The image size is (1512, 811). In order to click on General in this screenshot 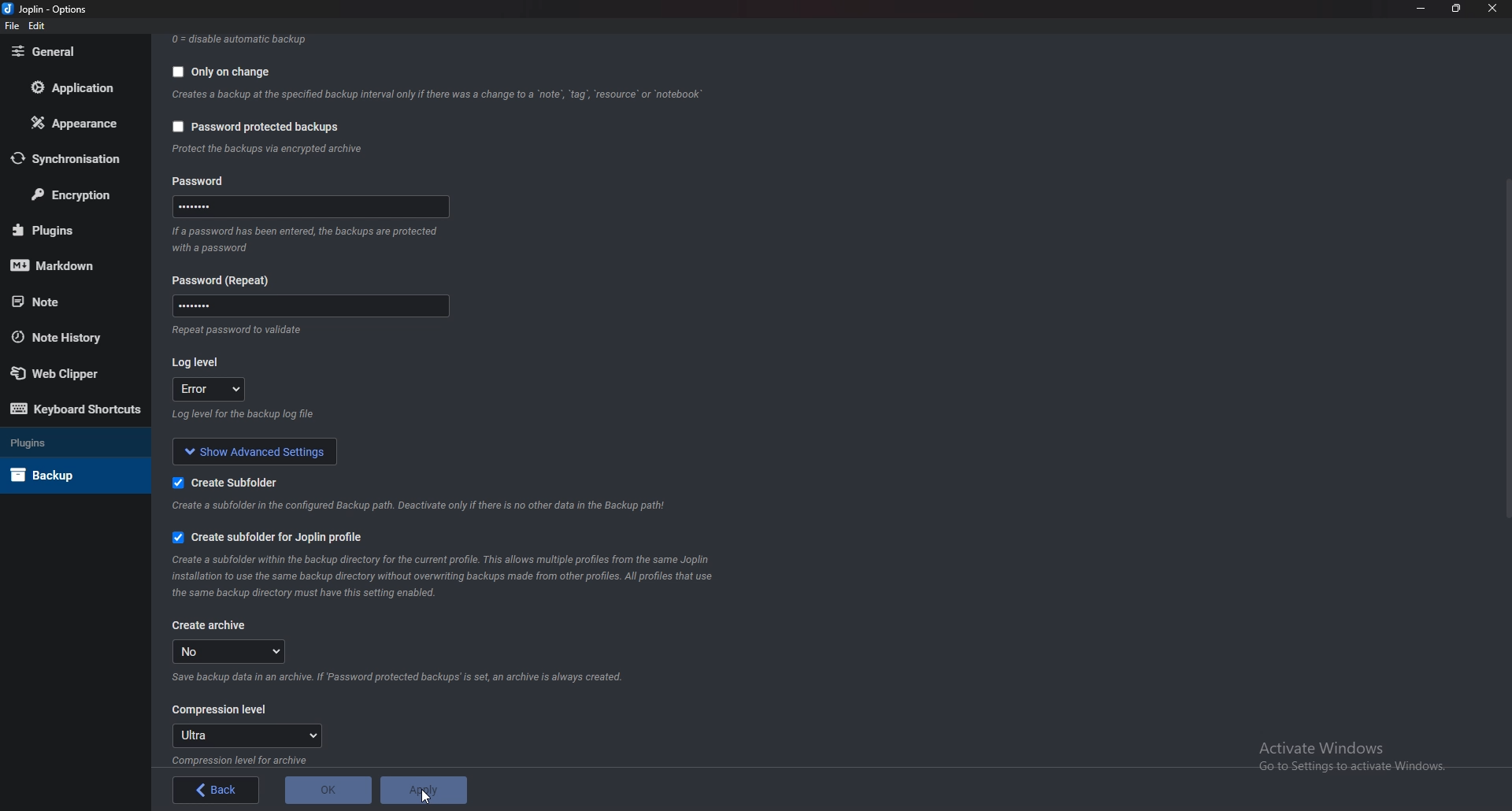, I will do `click(73, 52)`.